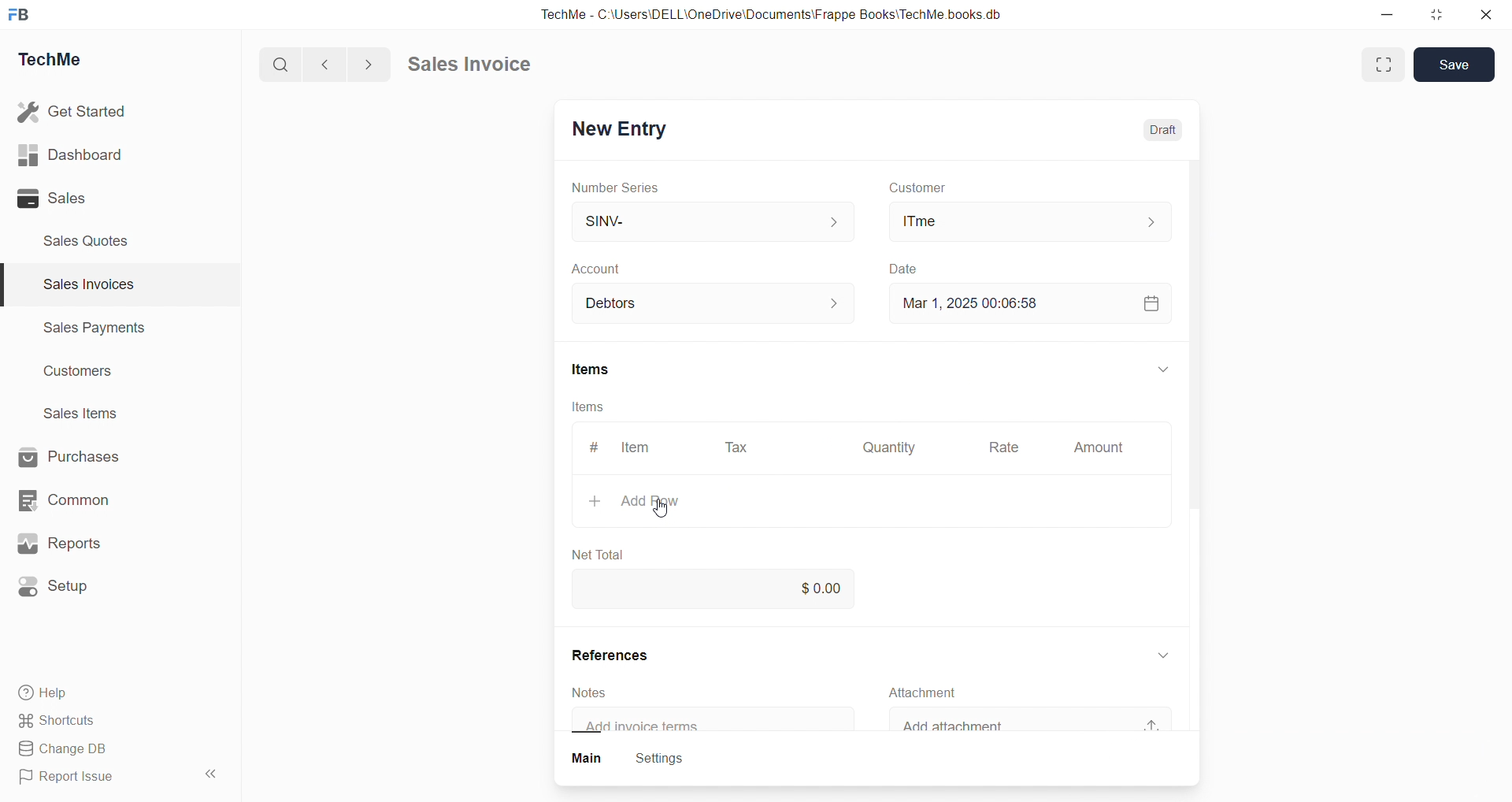  I want to click on Sales Invoice, so click(476, 66).